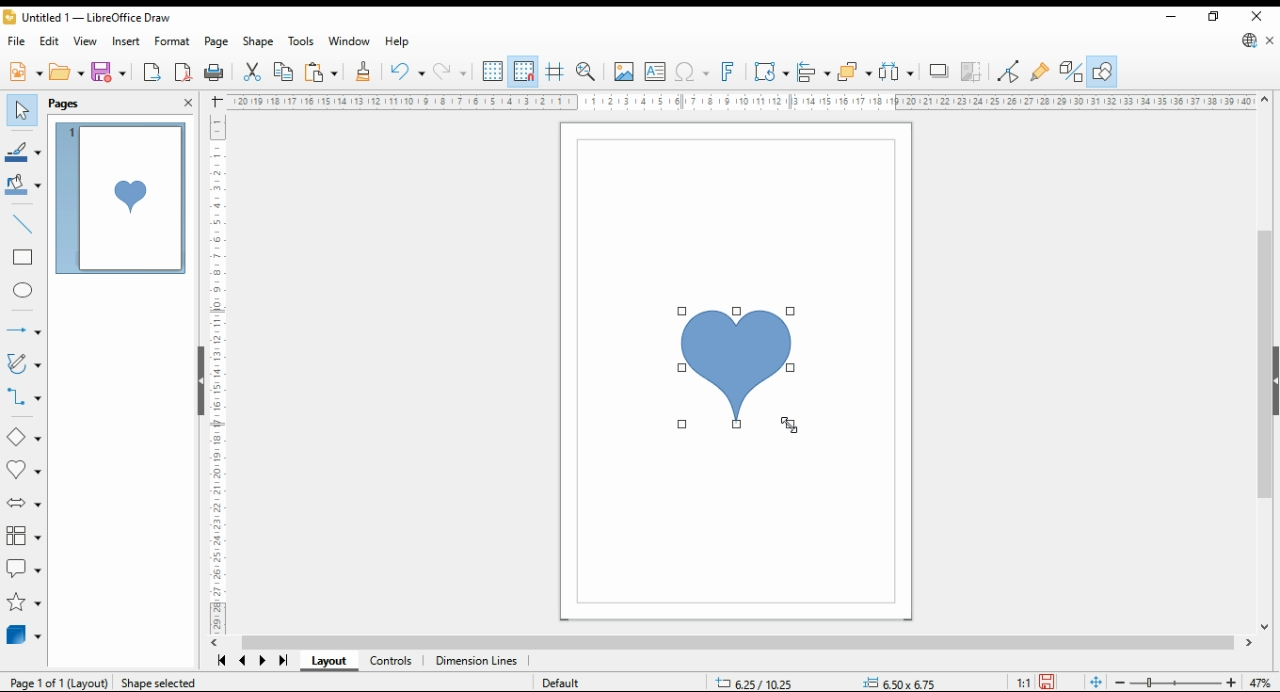 The image size is (1280, 692). I want to click on Default, so click(563, 678).